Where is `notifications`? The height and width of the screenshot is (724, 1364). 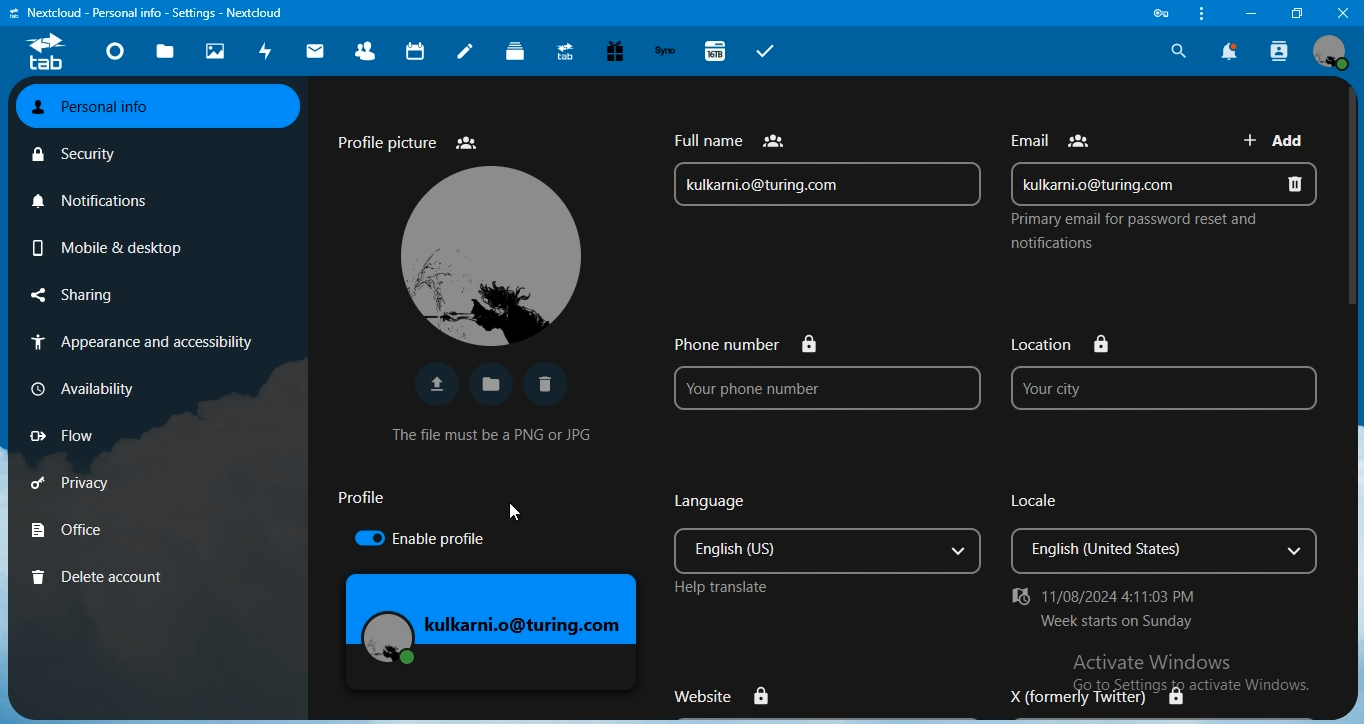
notifications is located at coordinates (92, 200).